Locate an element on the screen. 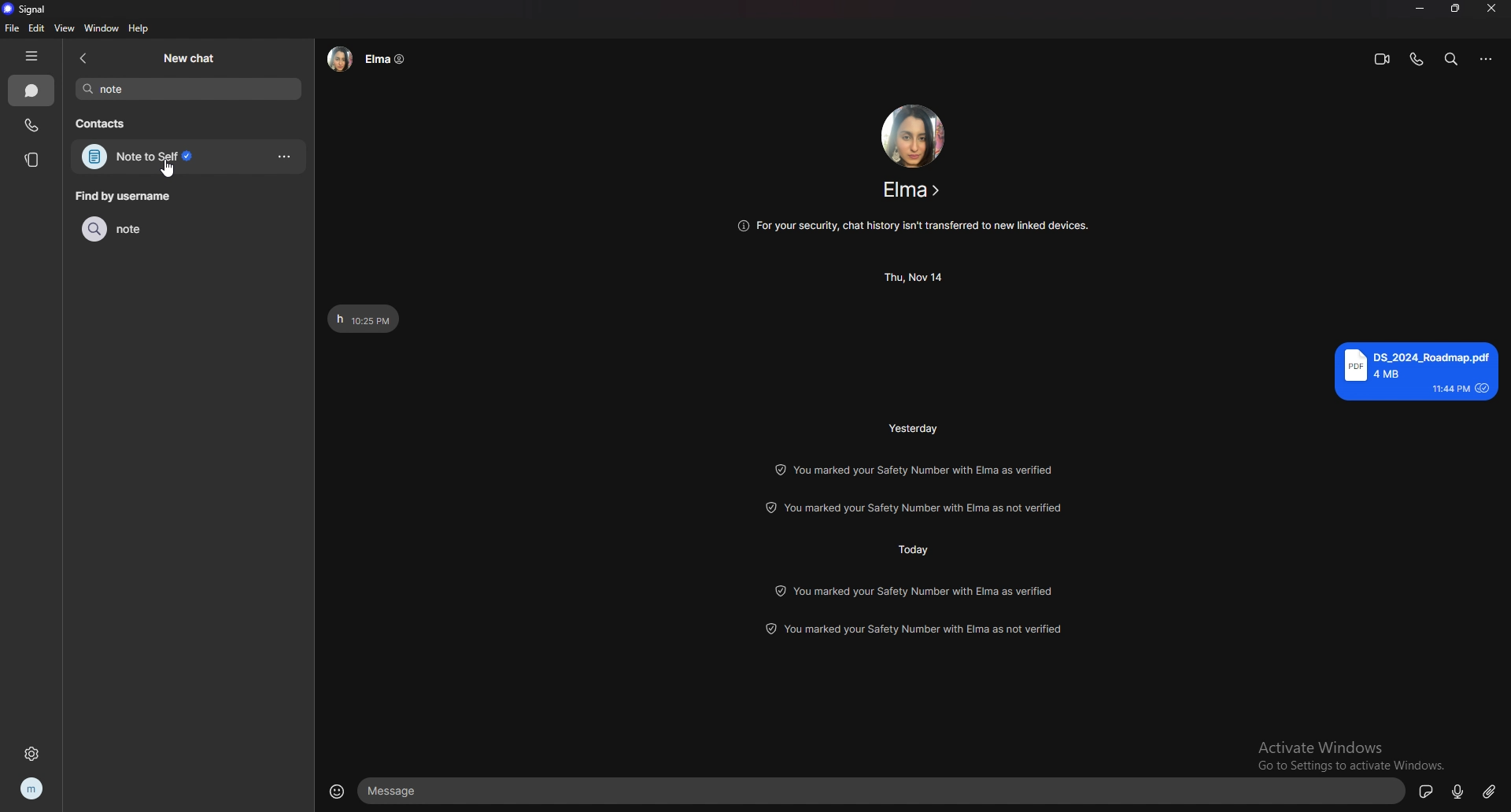 The image size is (1511, 812). minimize is located at coordinates (1420, 7).